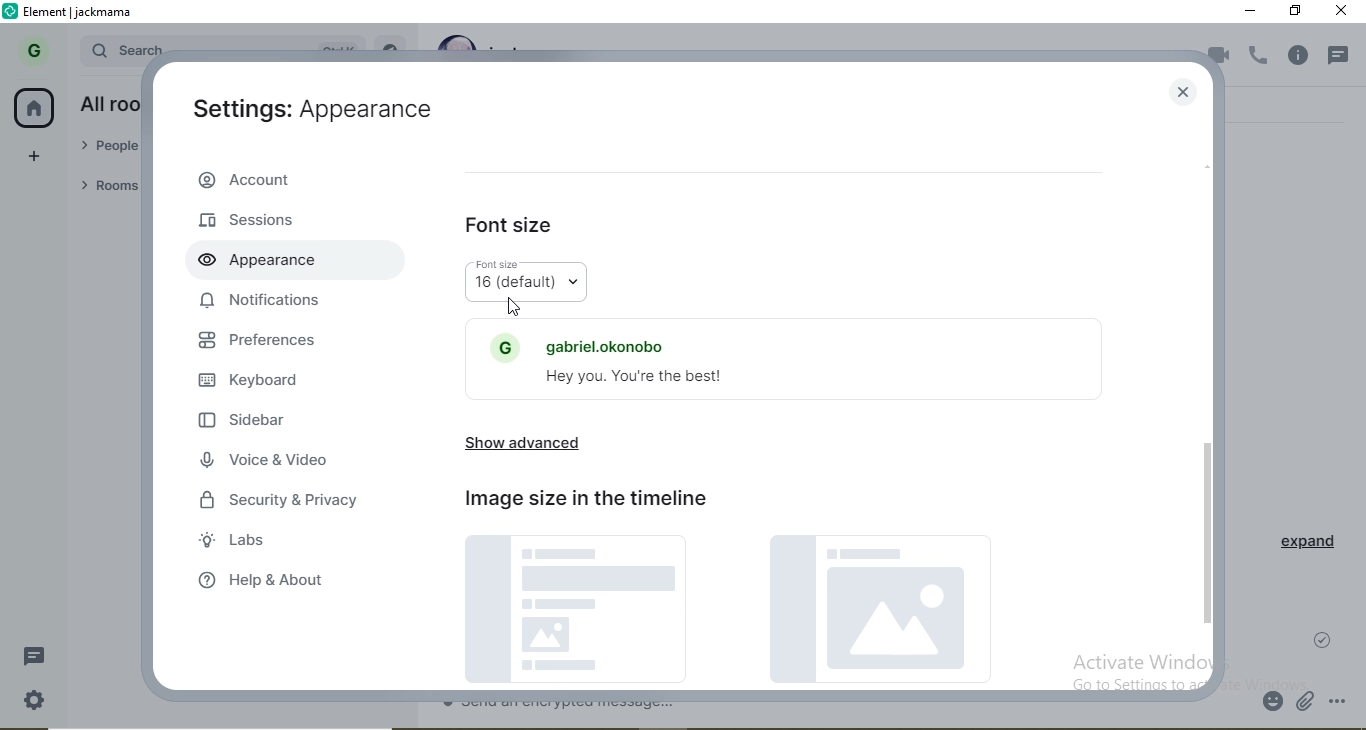 This screenshot has width=1366, height=730. Describe the element at coordinates (306, 115) in the screenshot. I see `aettings appearance` at that location.